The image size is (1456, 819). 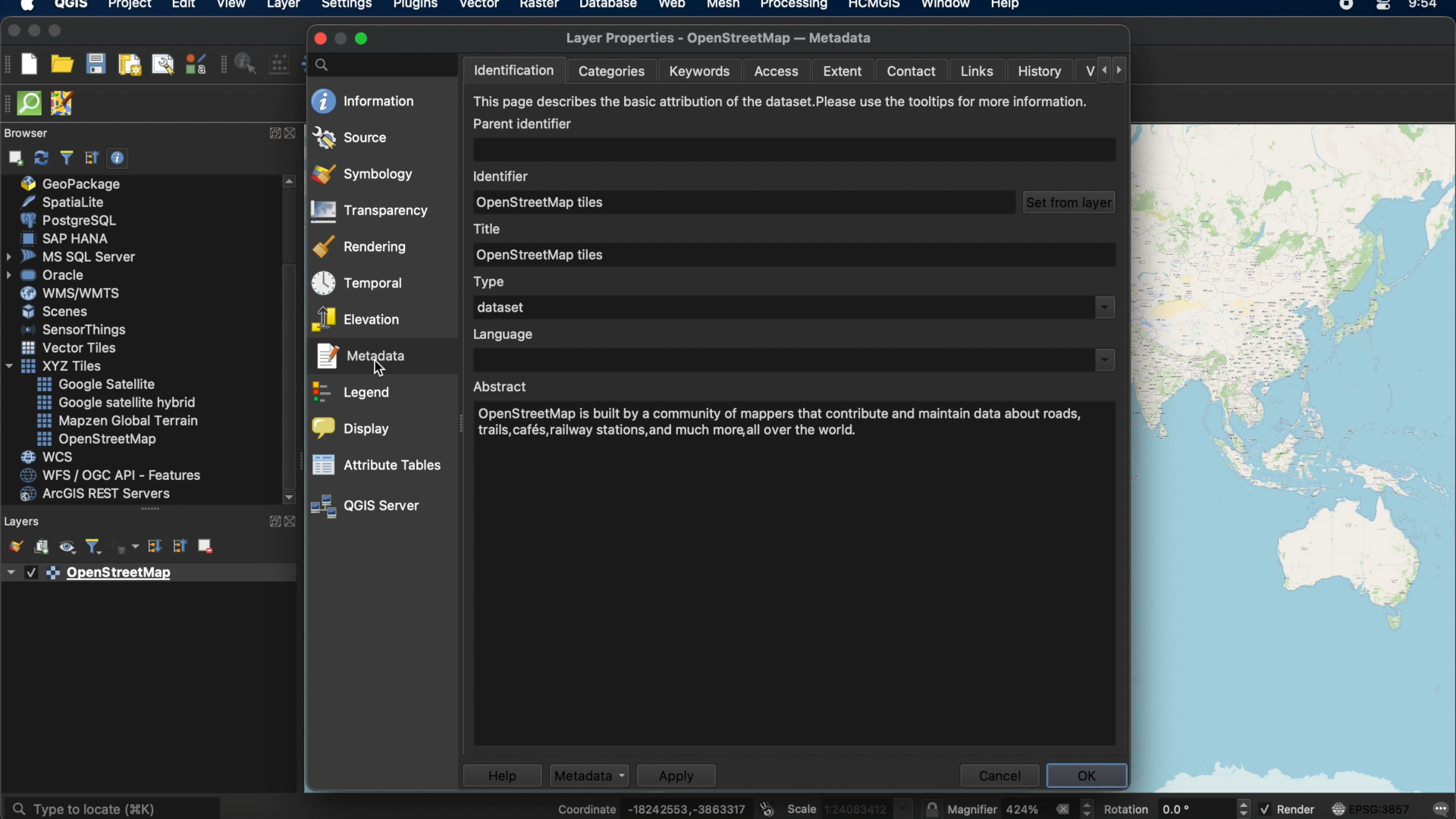 What do you see at coordinates (362, 174) in the screenshot?
I see `symbology` at bounding box center [362, 174].